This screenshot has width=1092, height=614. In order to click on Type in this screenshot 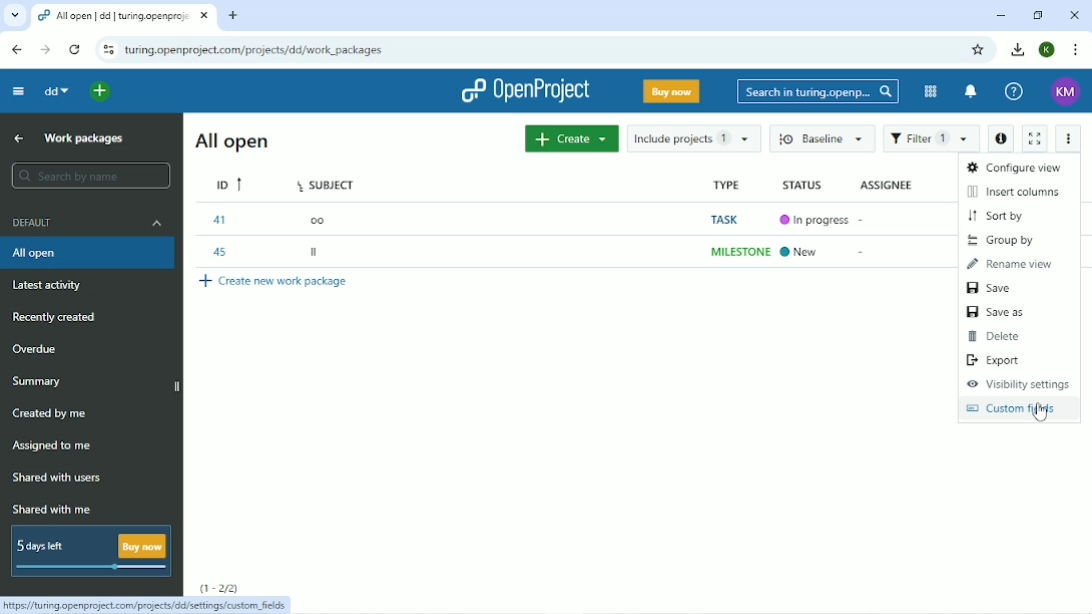, I will do `click(737, 219)`.